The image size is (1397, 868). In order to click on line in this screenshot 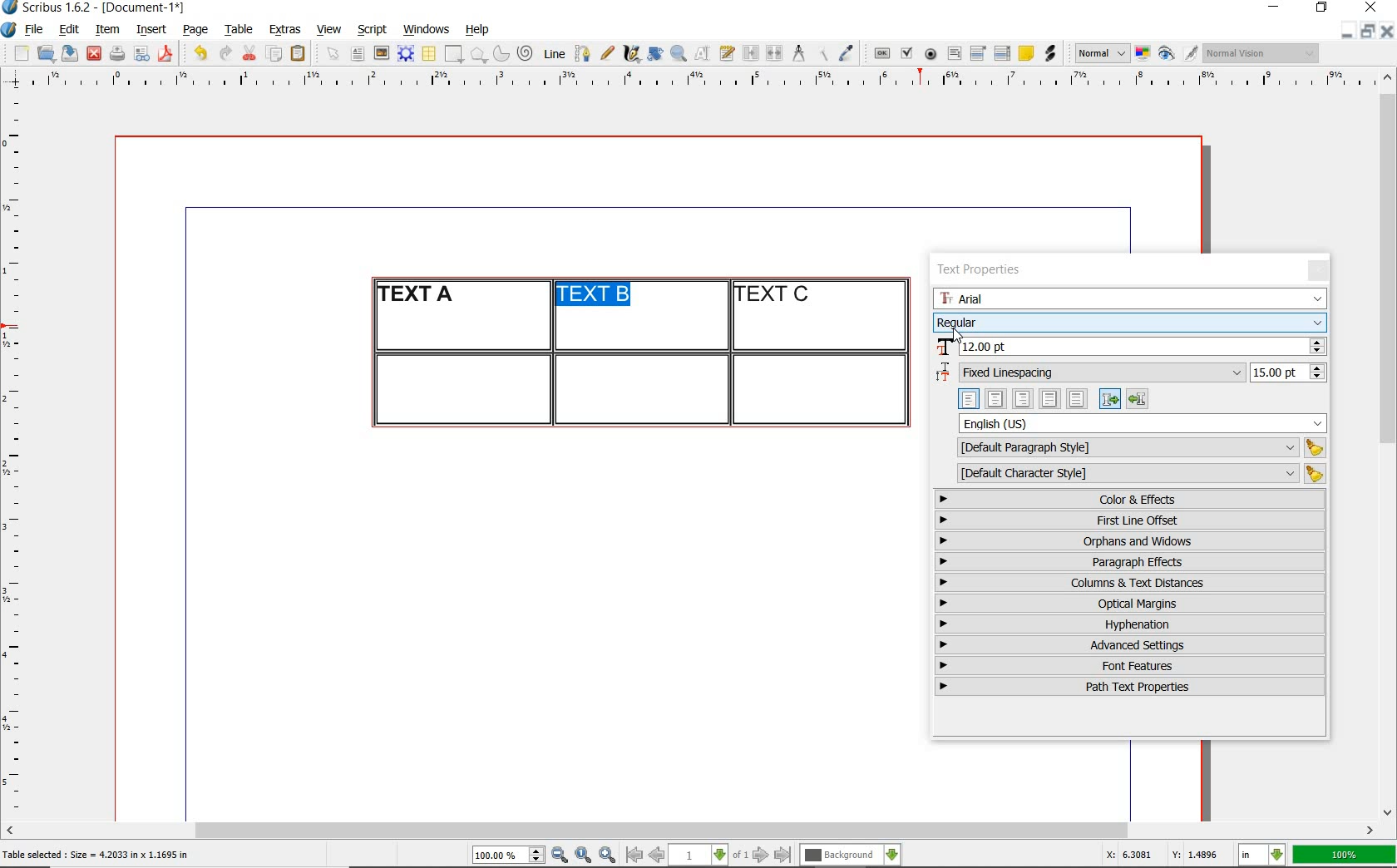, I will do `click(552, 53)`.